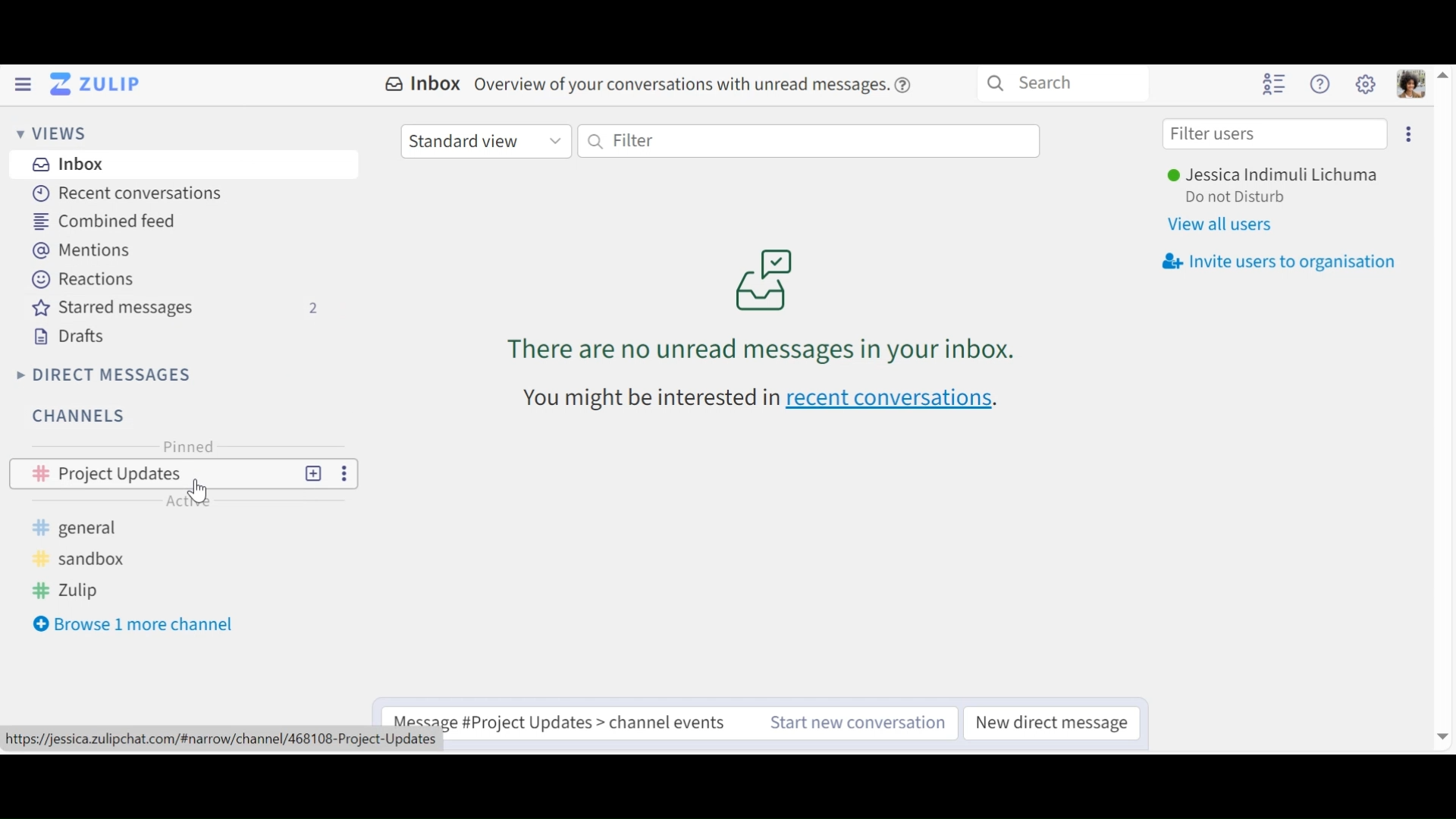  I want to click on Active, so click(187, 500).